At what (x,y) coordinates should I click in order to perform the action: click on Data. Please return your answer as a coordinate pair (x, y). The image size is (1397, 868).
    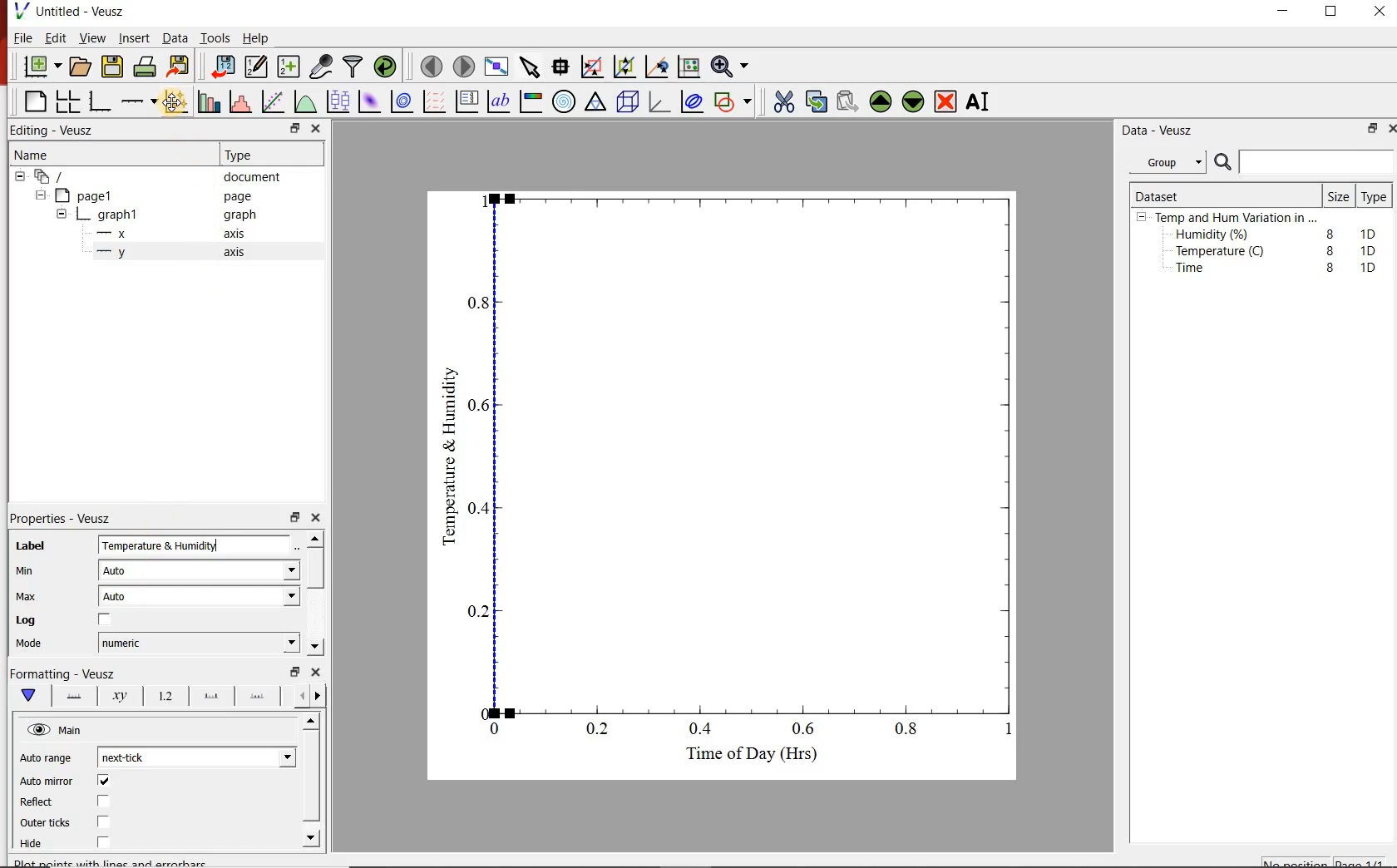
    Looking at the image, I should click on (171, 38).